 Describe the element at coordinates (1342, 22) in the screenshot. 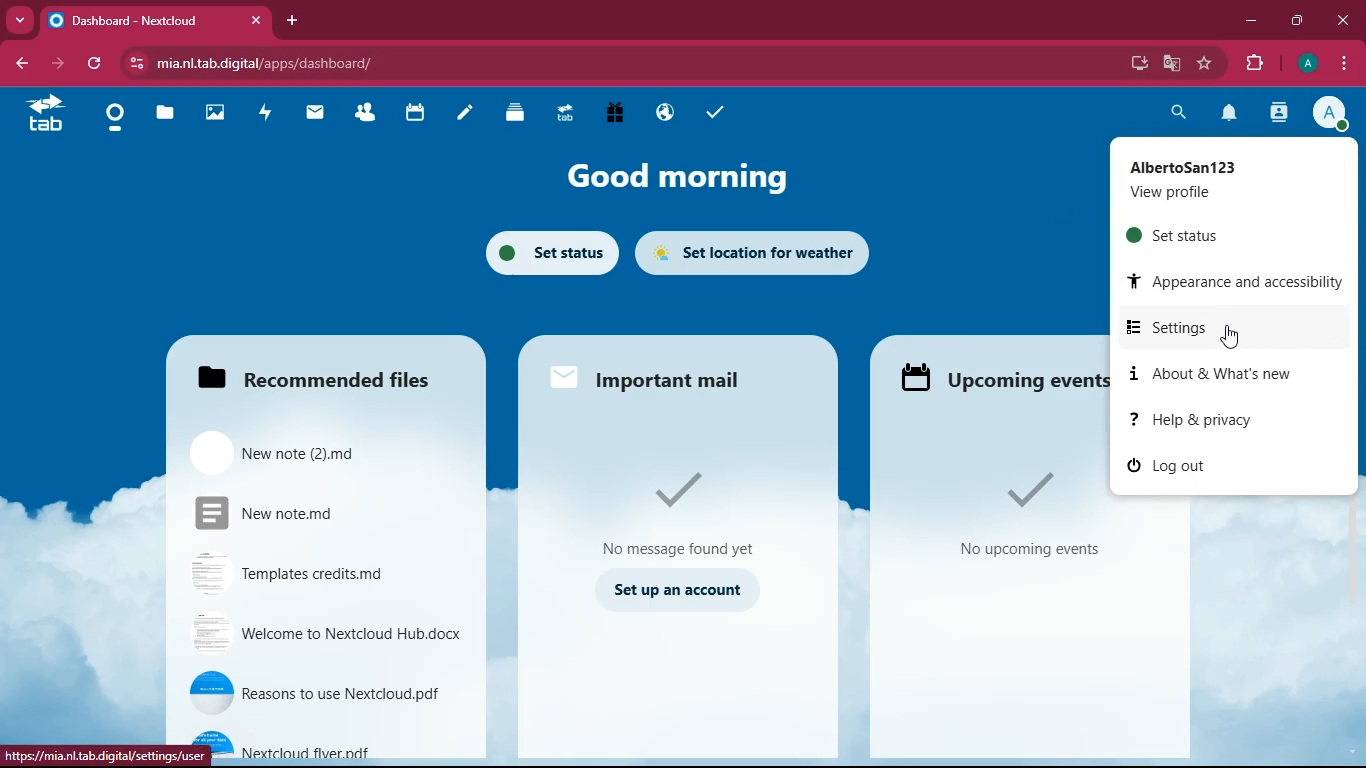

I see `close` at that location.